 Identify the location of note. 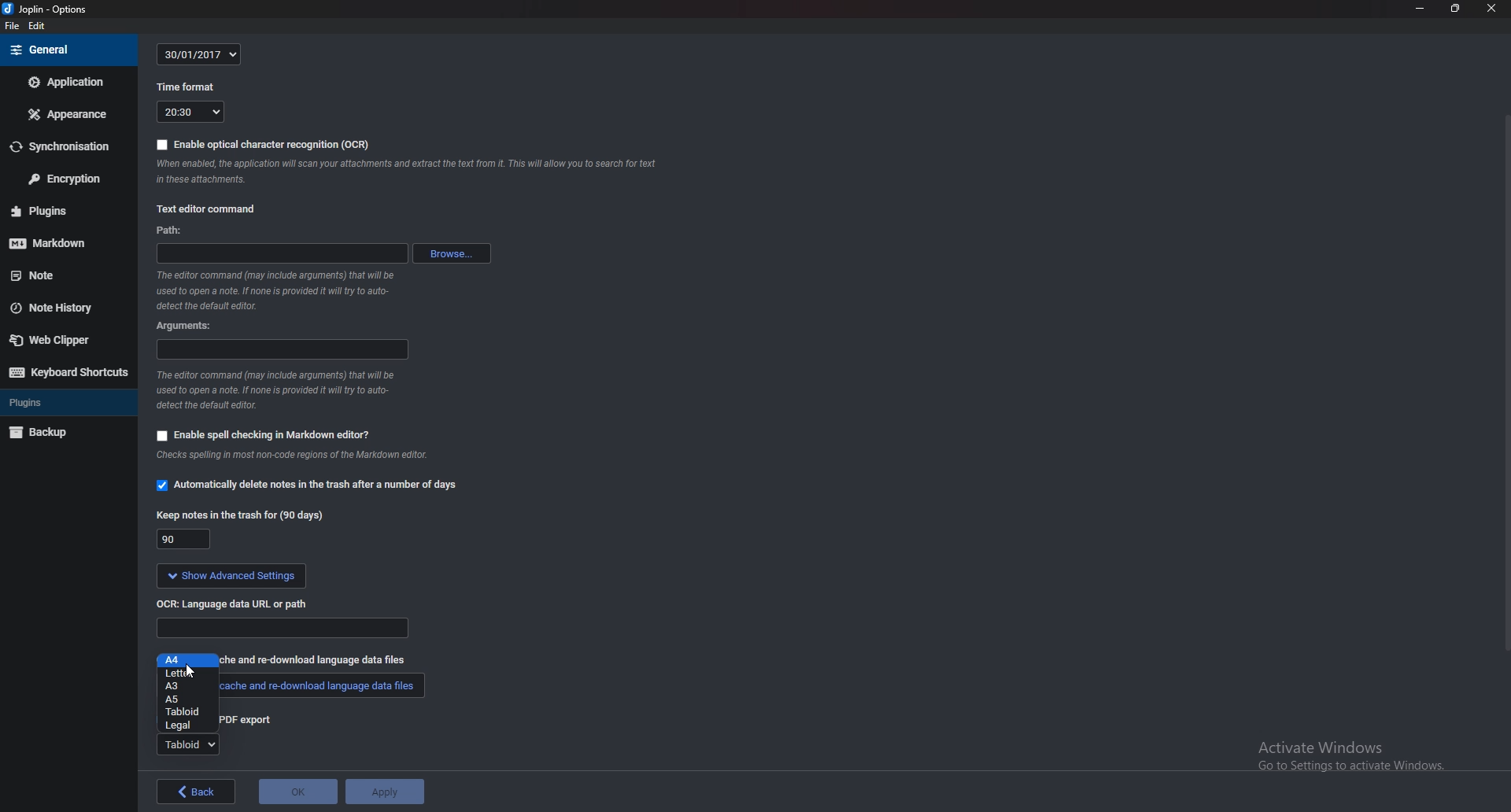
(408, 173).